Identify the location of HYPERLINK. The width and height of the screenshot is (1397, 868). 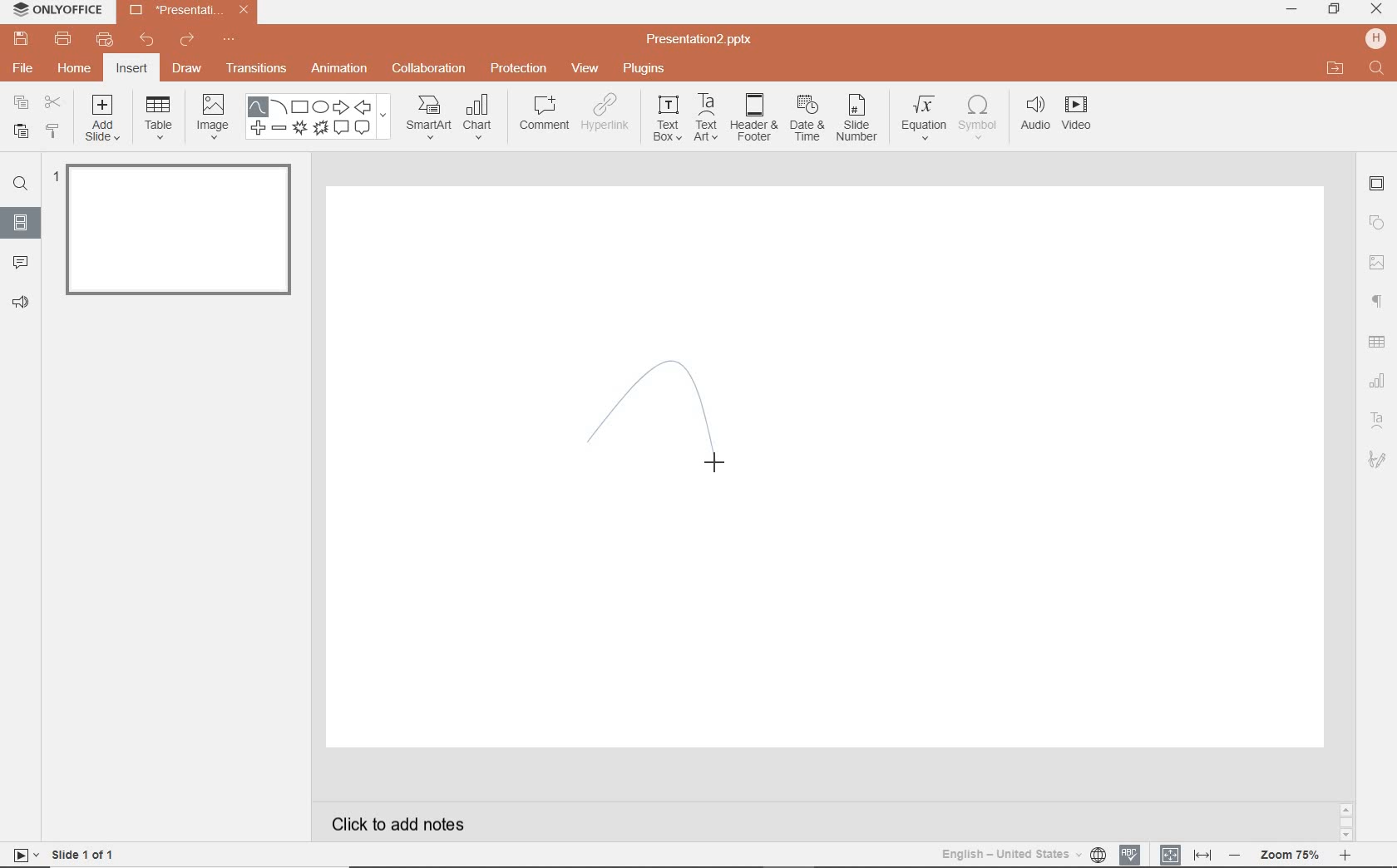
(608, 116).